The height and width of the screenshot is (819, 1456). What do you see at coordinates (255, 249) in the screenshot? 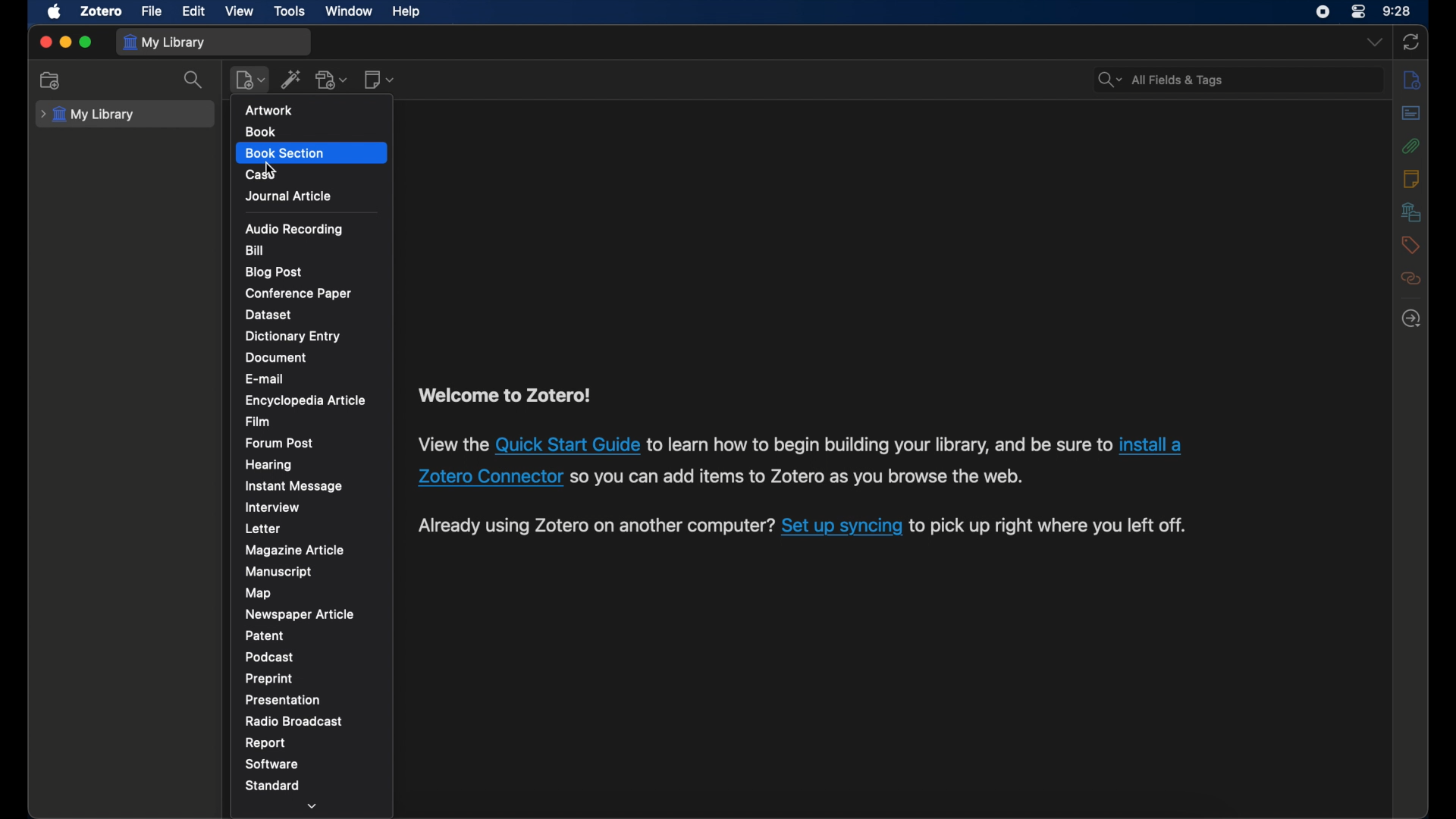
I see `bill` at bounding box center [255, 249].